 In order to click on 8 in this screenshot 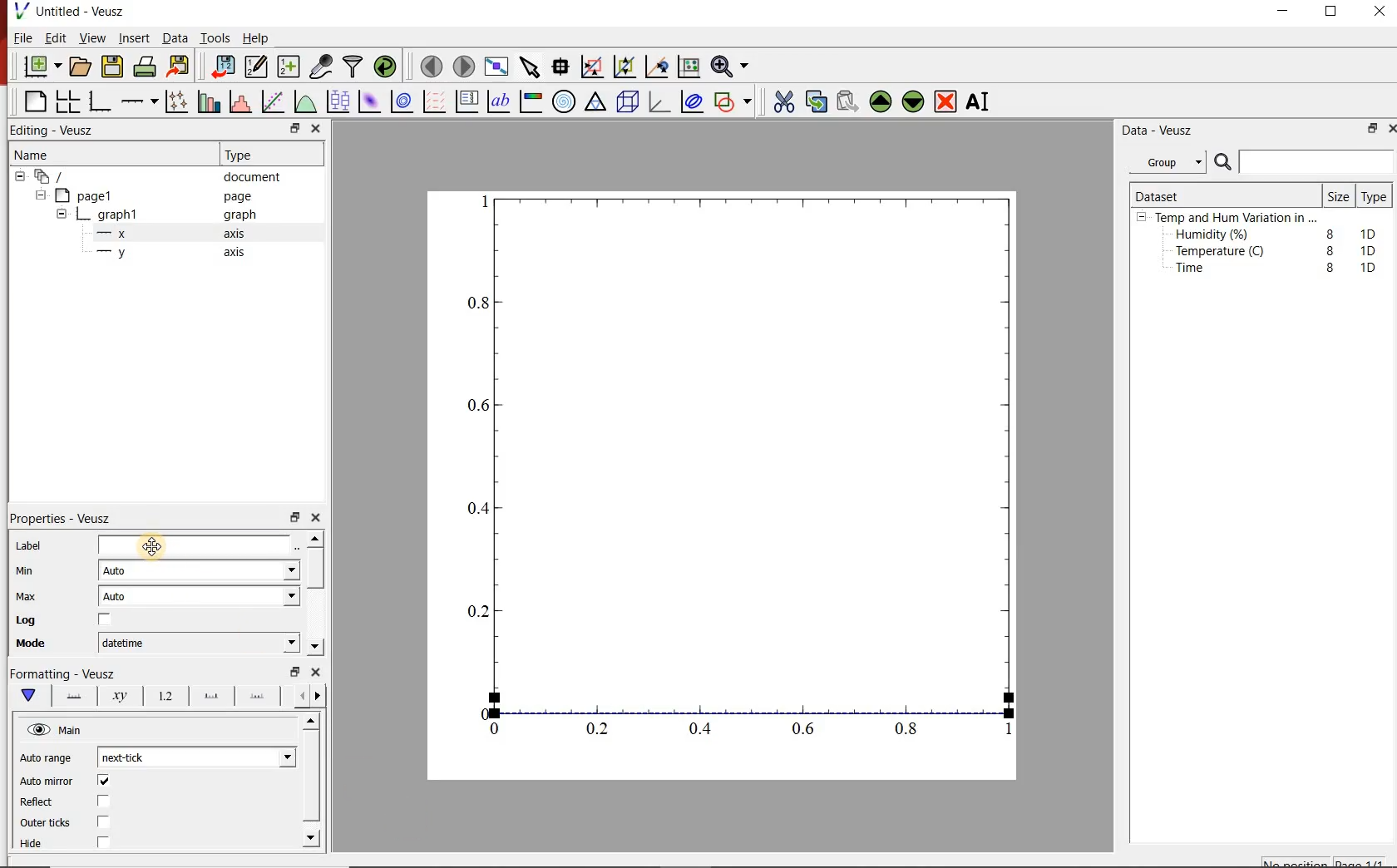, I will do `click(1327, 249)`.